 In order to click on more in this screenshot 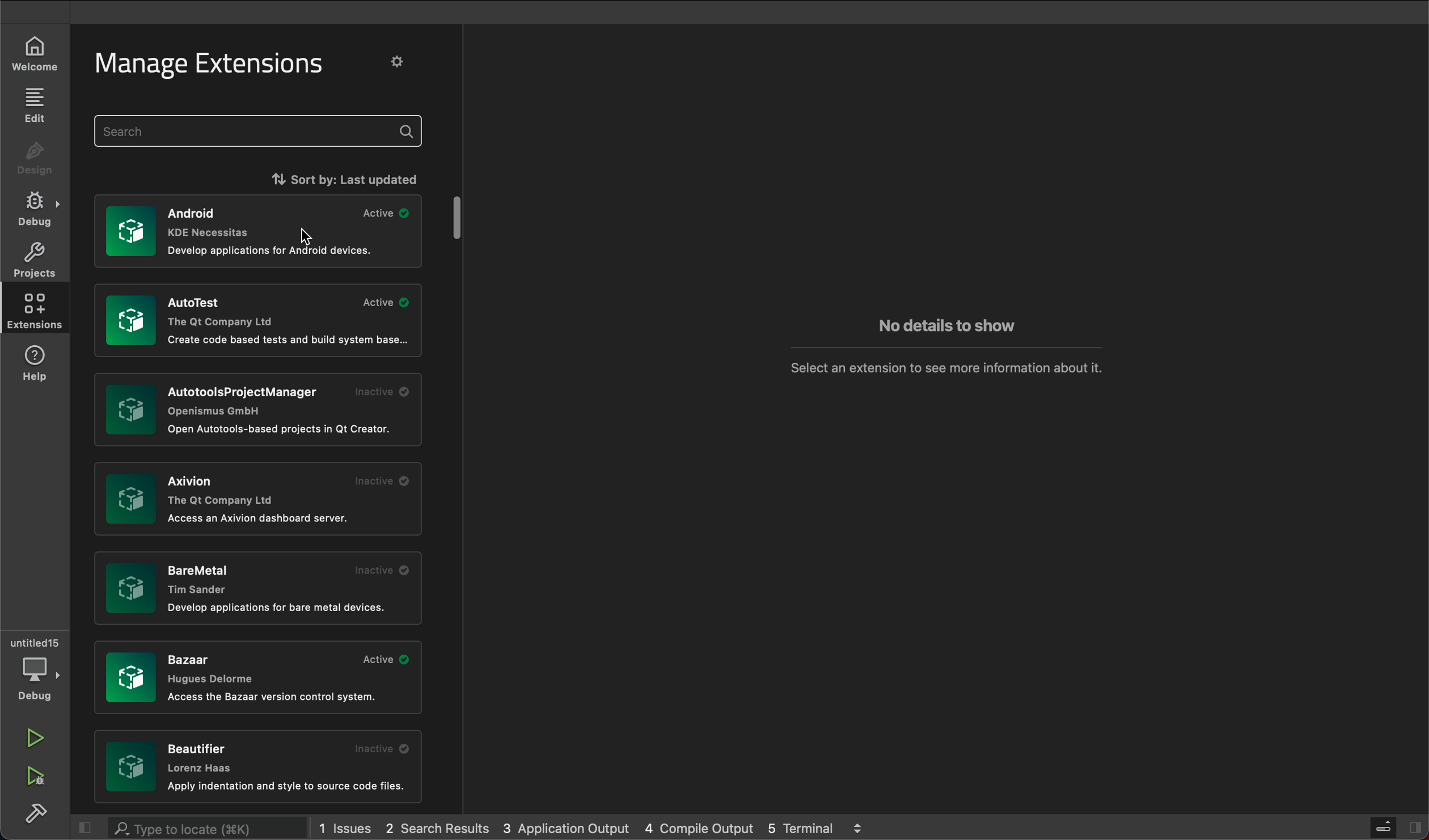, I will do `click(858, 826)`.